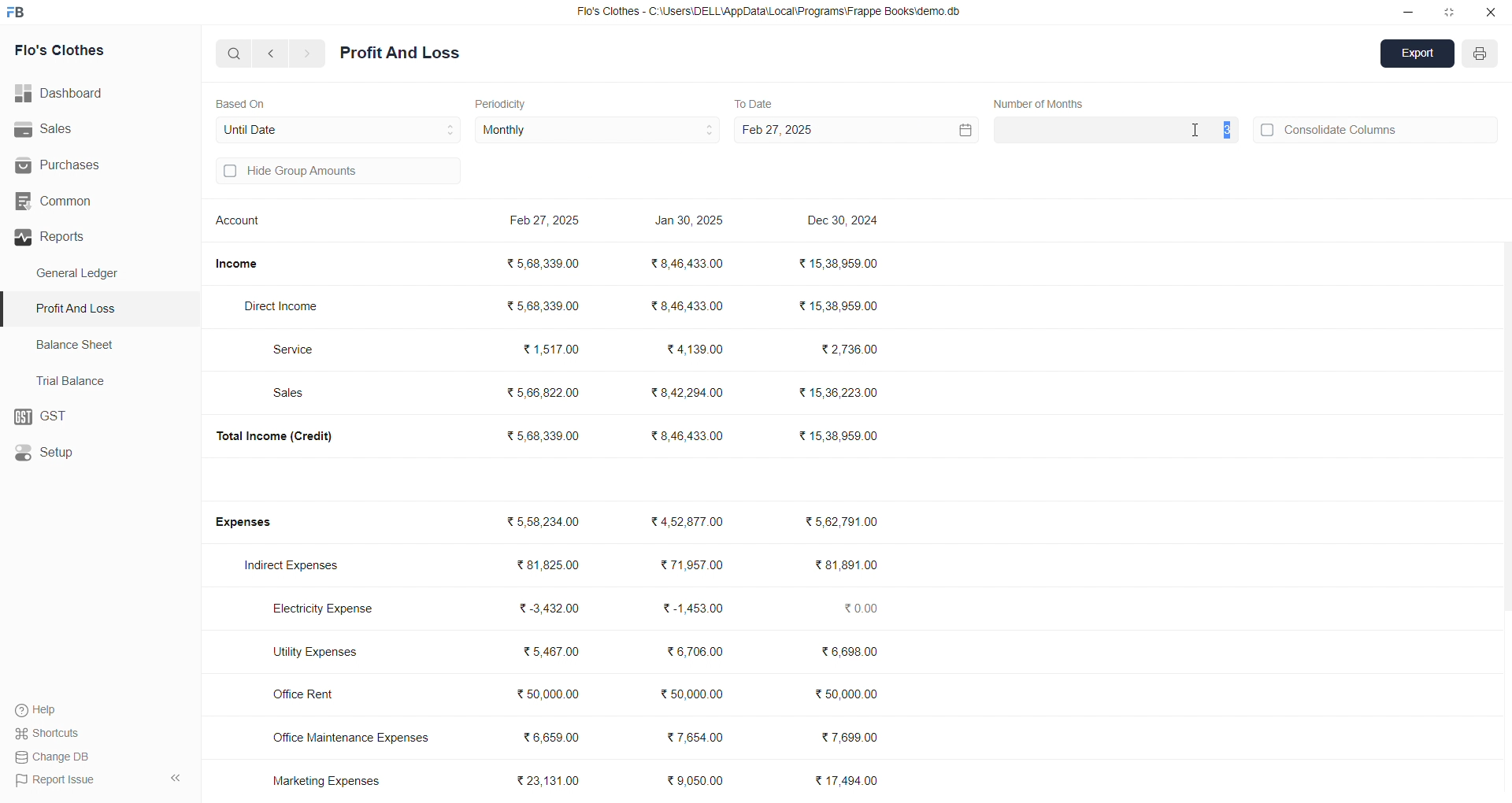  Describe the element at coordinates (690, 521) in the screenshot. I see `₹4,52,877.00` at that location.